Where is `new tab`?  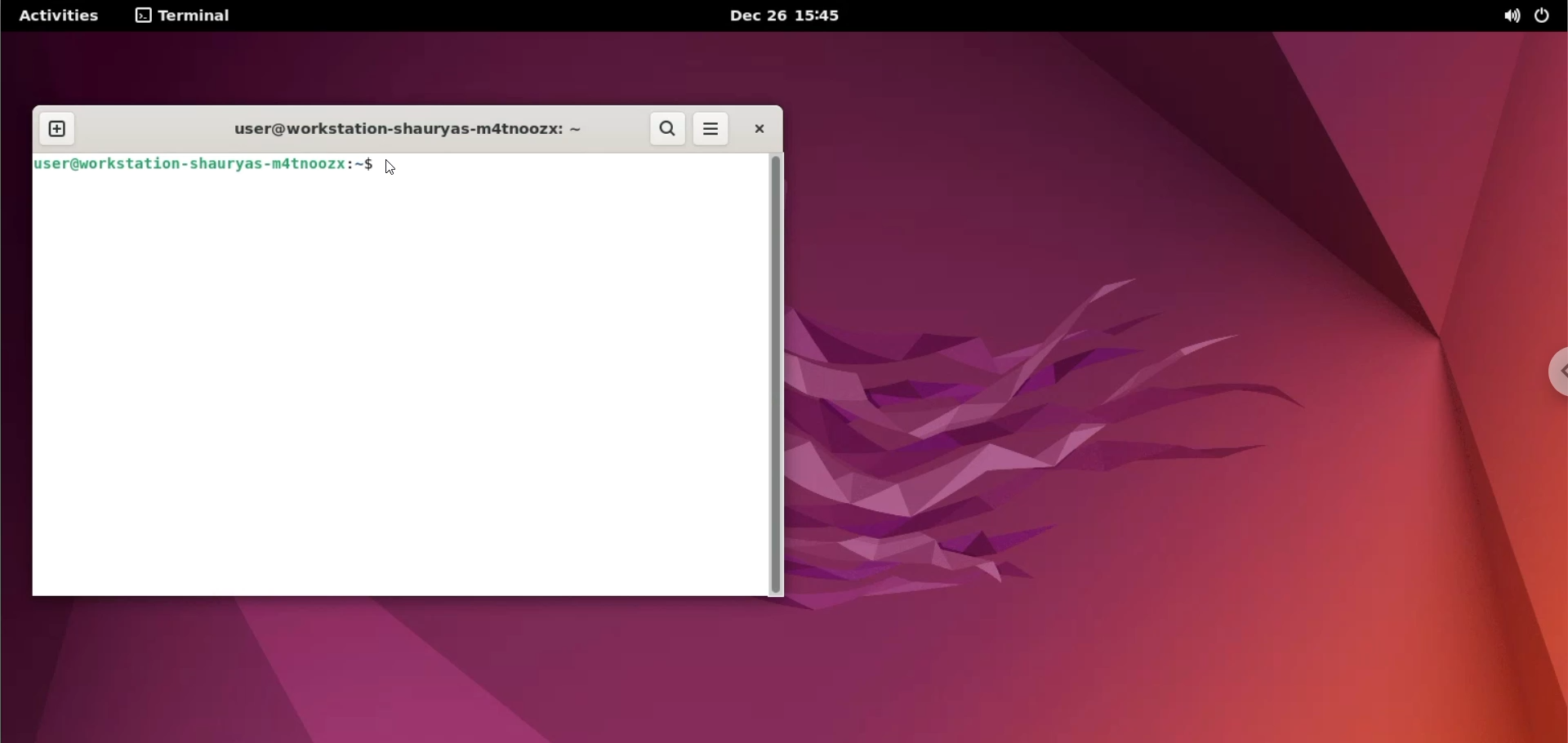 new tab is located at coordinates (58, 130).